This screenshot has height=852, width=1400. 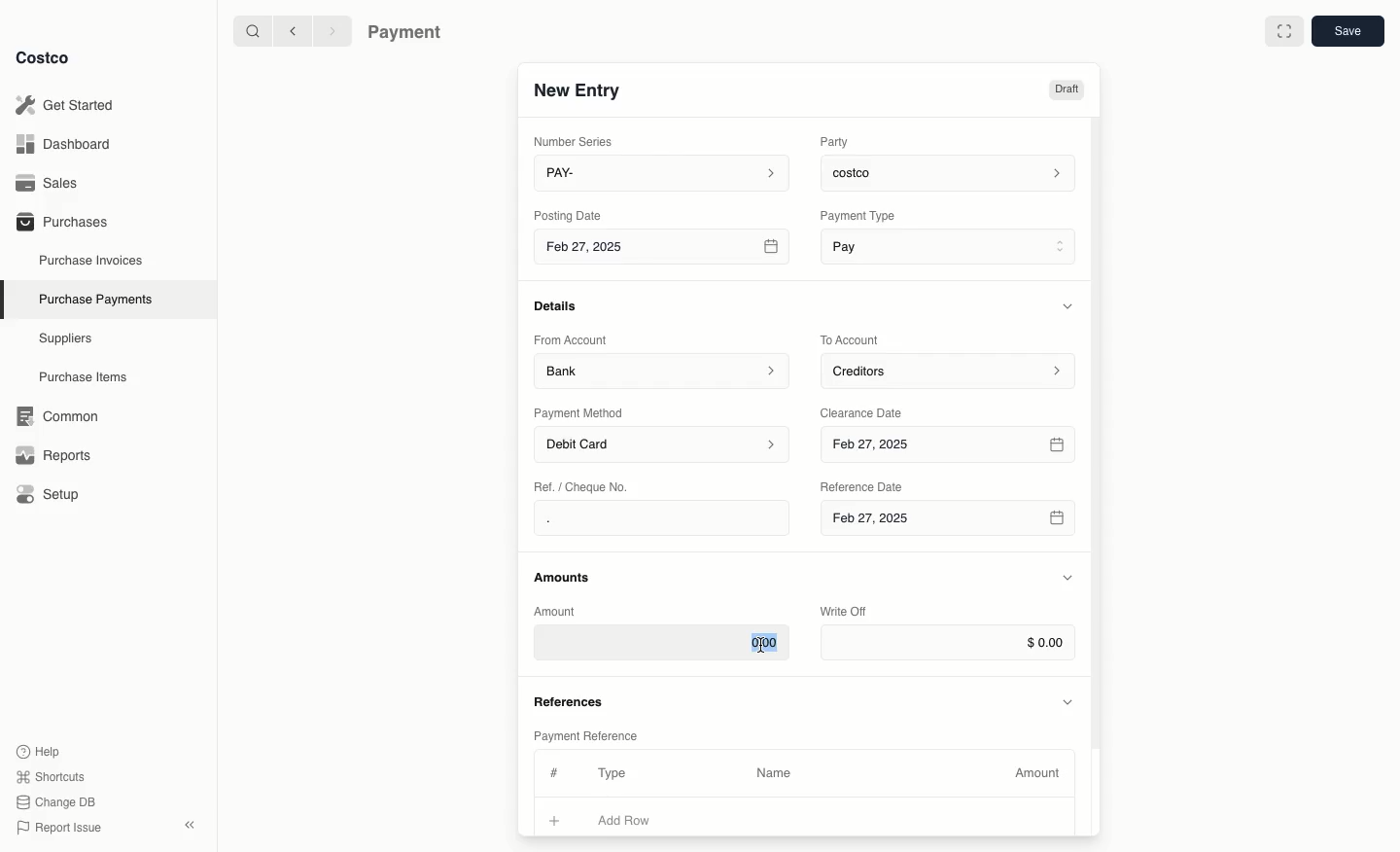 What do you see at coordinates (1066, 89) in the screenshot?
I see `Draft` at bounding box center [1066, 89].